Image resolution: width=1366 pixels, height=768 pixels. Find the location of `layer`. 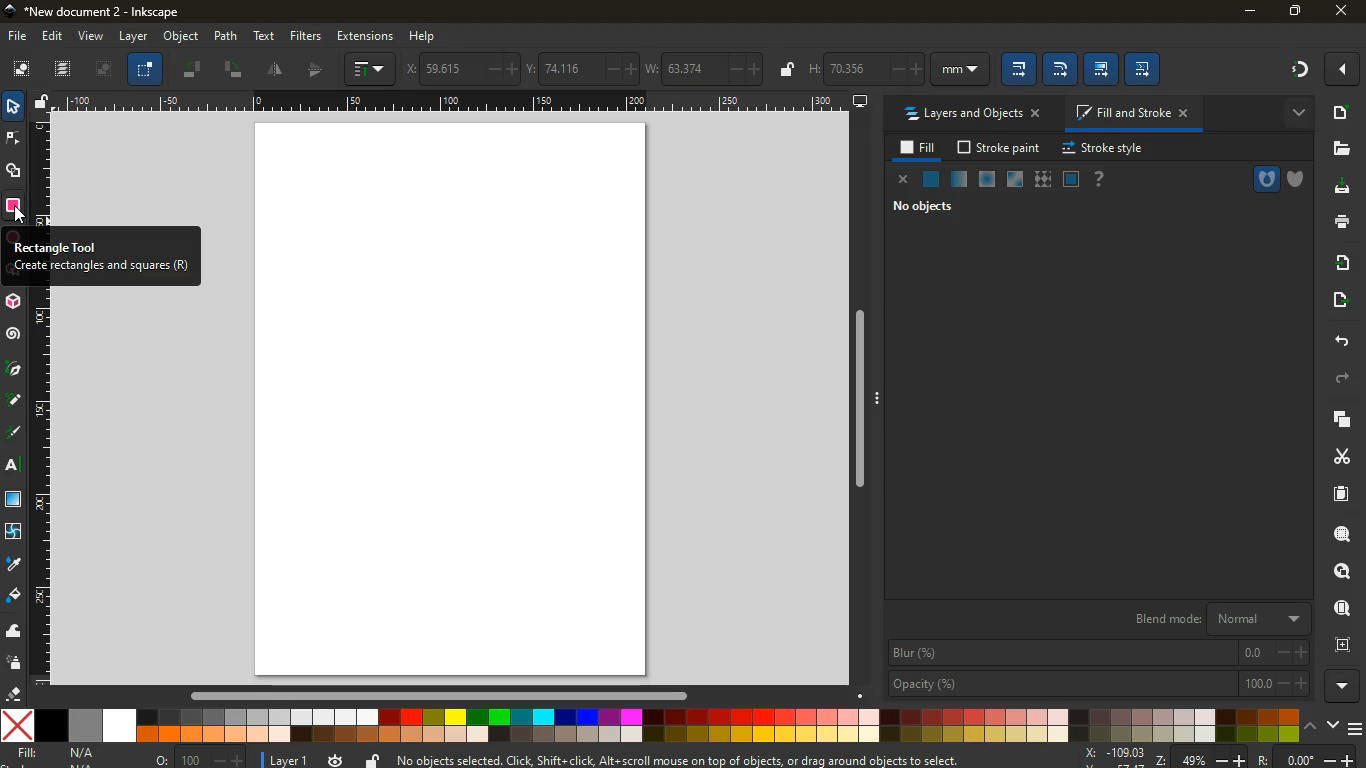

layer is located at coordinates (133, 37).